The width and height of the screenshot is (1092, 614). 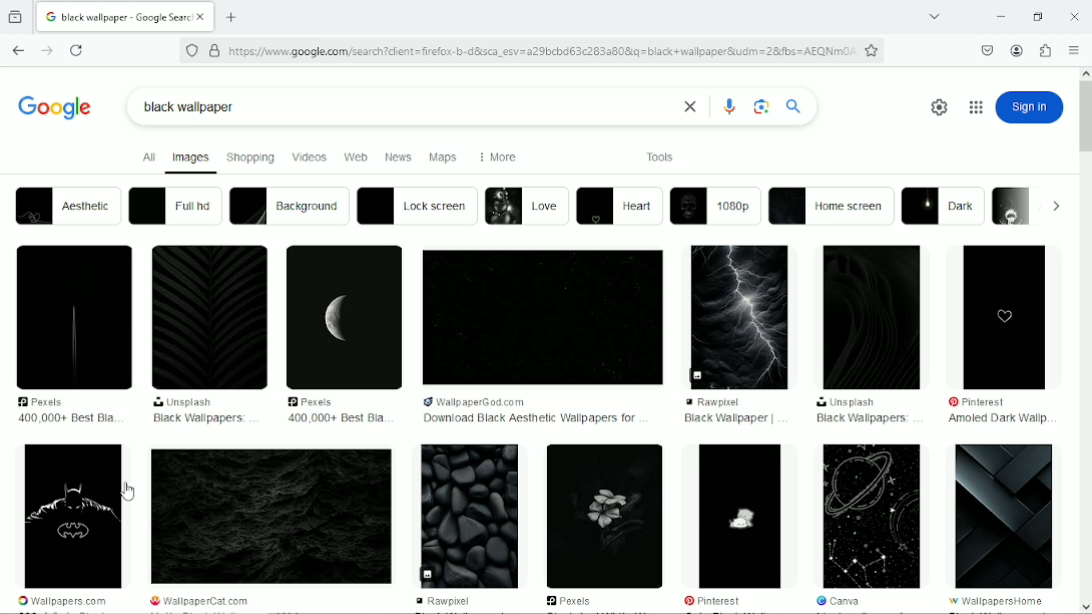 I want to click on black image, so click(x=209, y=318).